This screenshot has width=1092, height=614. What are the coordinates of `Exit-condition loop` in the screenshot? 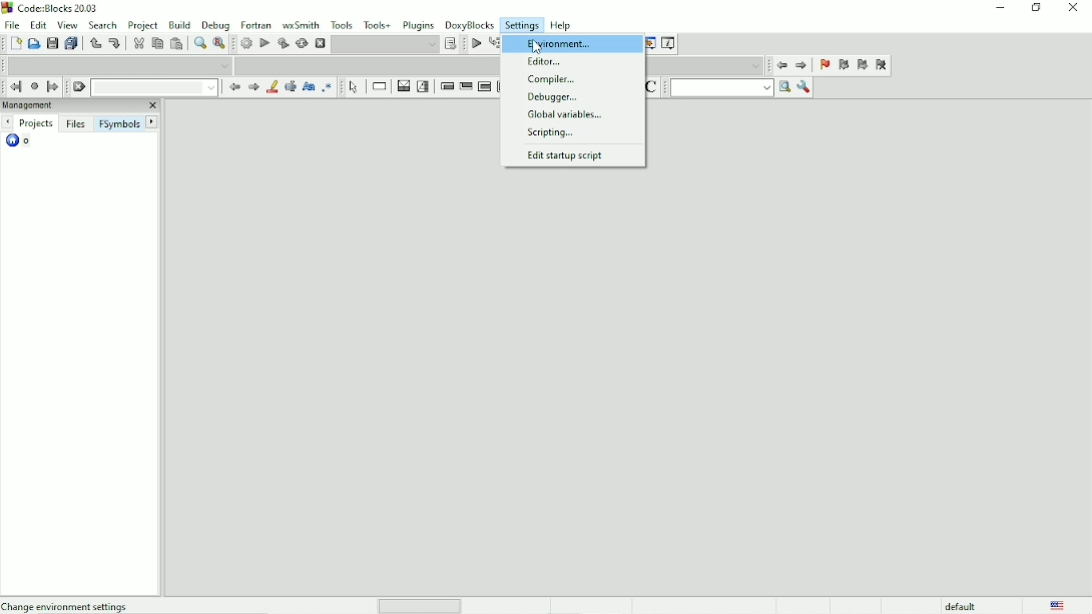 It's located at (465, 87).